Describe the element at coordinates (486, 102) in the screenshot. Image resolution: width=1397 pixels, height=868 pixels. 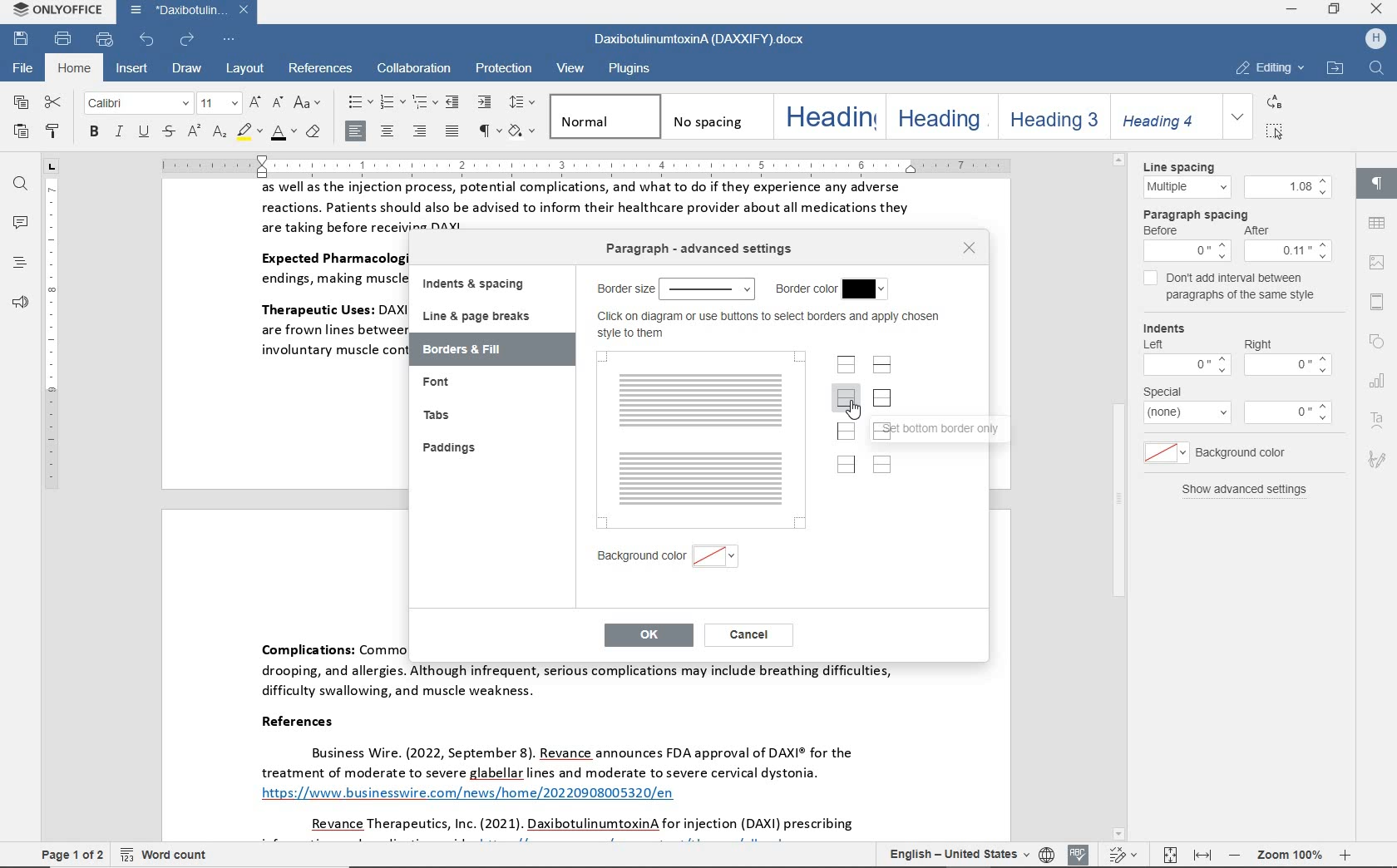
I see `increase indent` at that location.